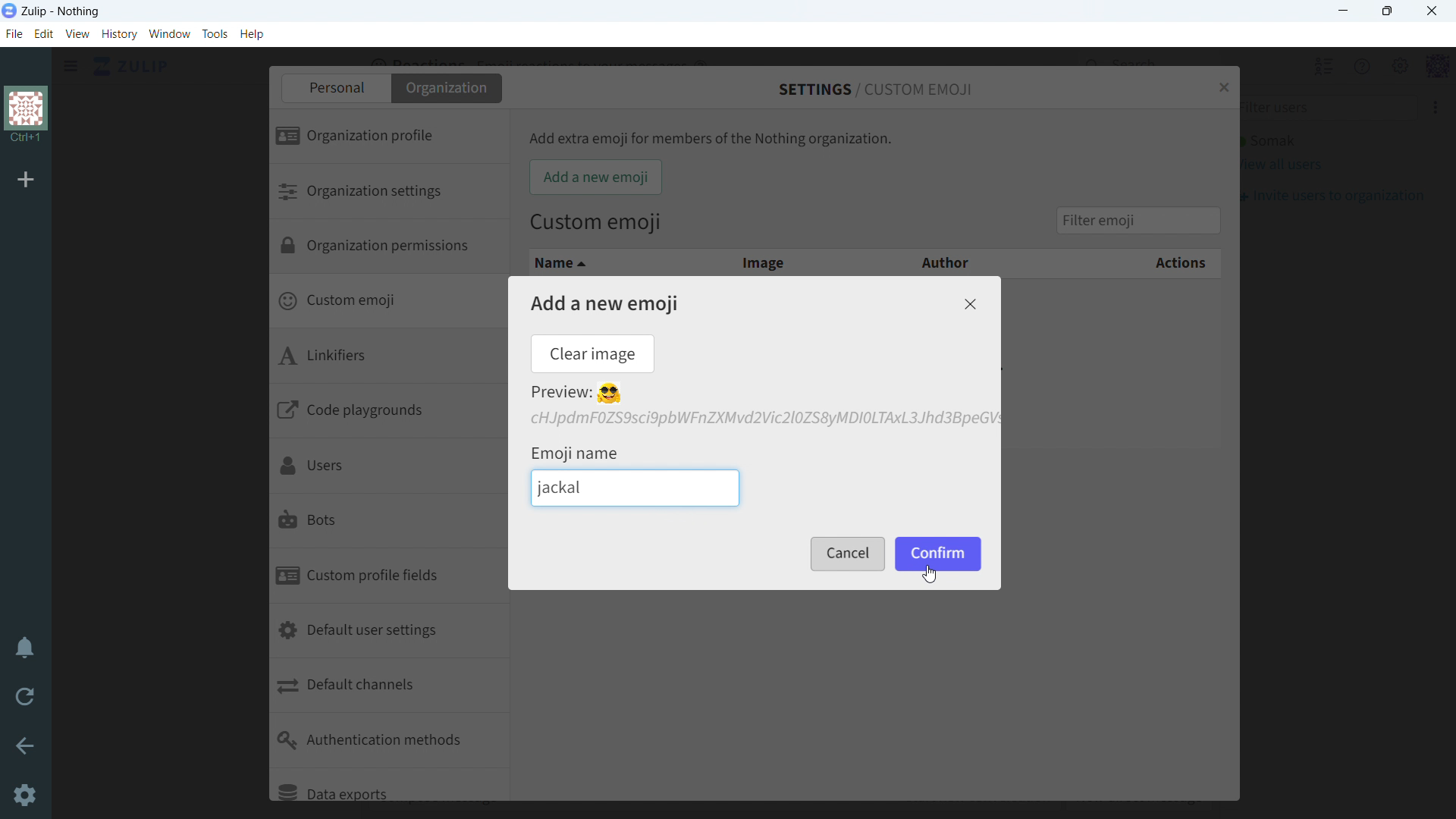 This screenshot has width=1456, height=819. What do you see at coordinates (762, 419) in the screenshot?
I see `file added` at bounding box center [762, 419].